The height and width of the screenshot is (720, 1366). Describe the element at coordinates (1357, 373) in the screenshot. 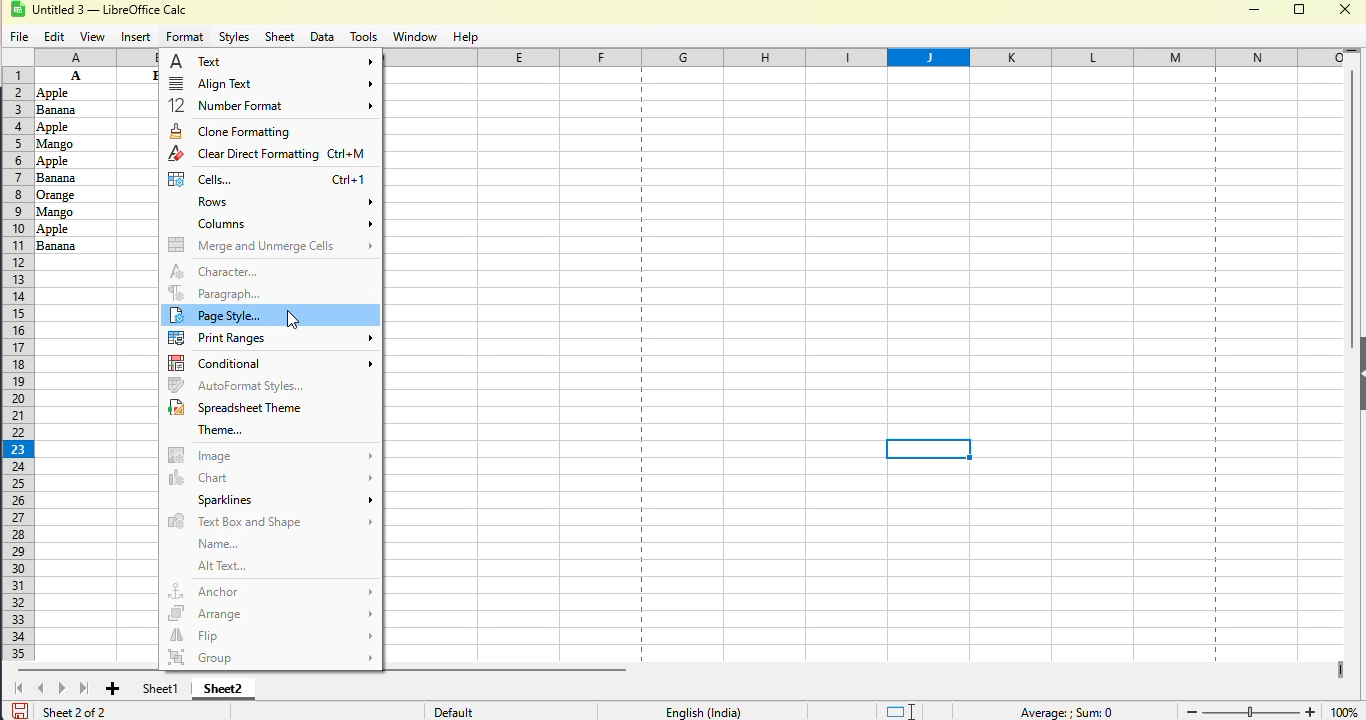

I see `show` at that location.